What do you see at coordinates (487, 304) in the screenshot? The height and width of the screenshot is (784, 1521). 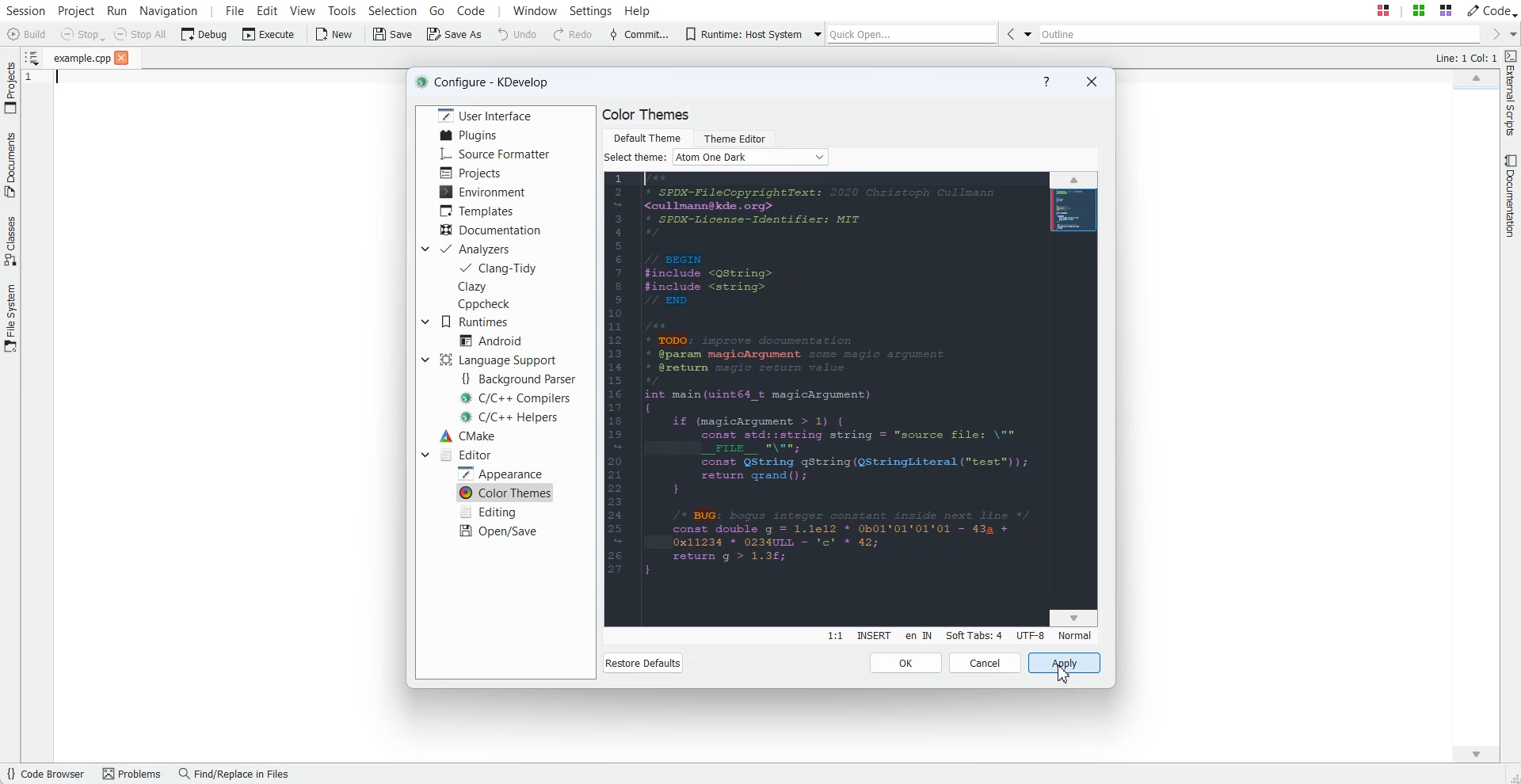 I see `CppCheck` at bounding box center [487, 304].